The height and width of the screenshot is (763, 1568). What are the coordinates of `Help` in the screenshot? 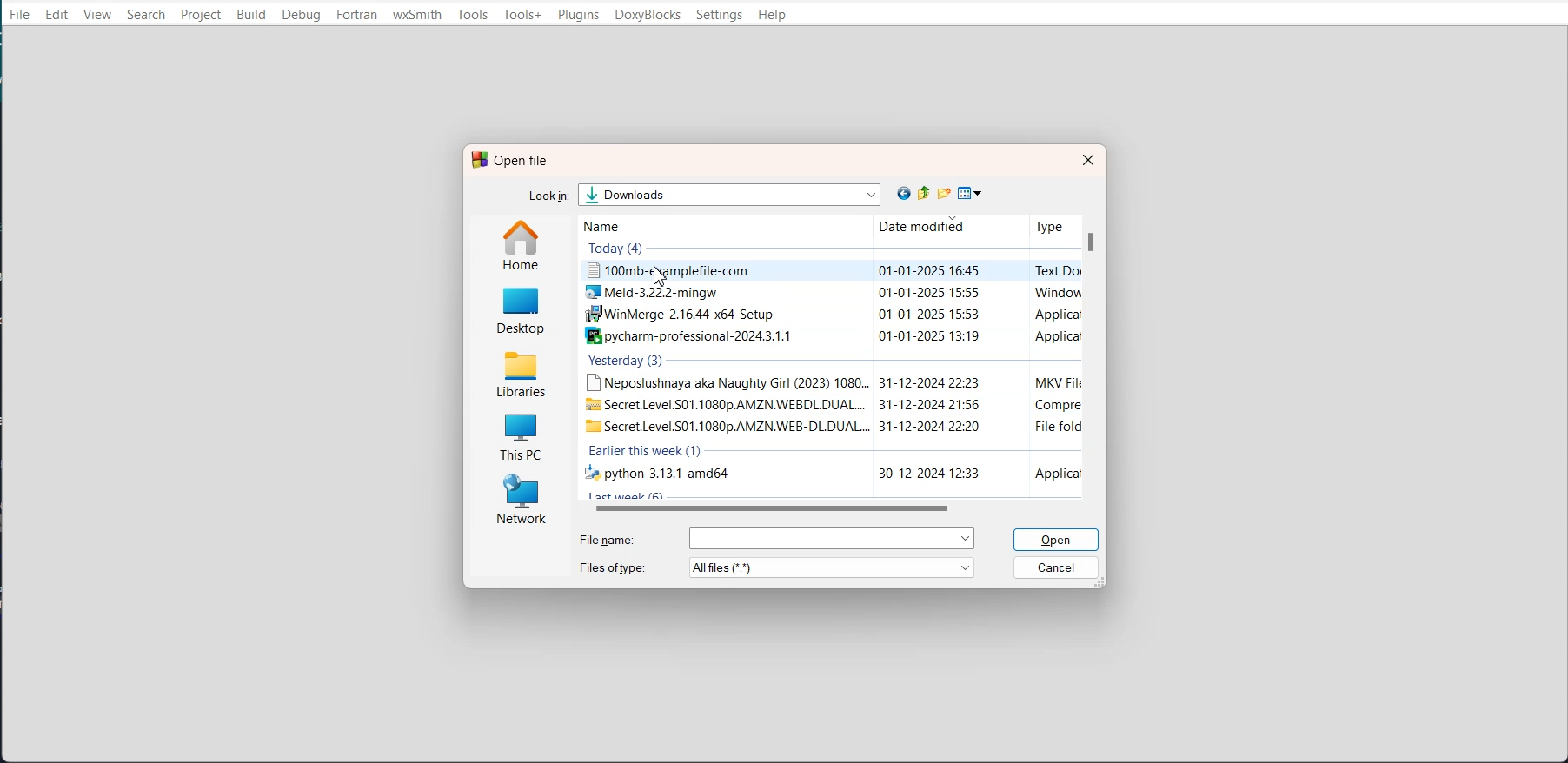 It's located at (773, 16).